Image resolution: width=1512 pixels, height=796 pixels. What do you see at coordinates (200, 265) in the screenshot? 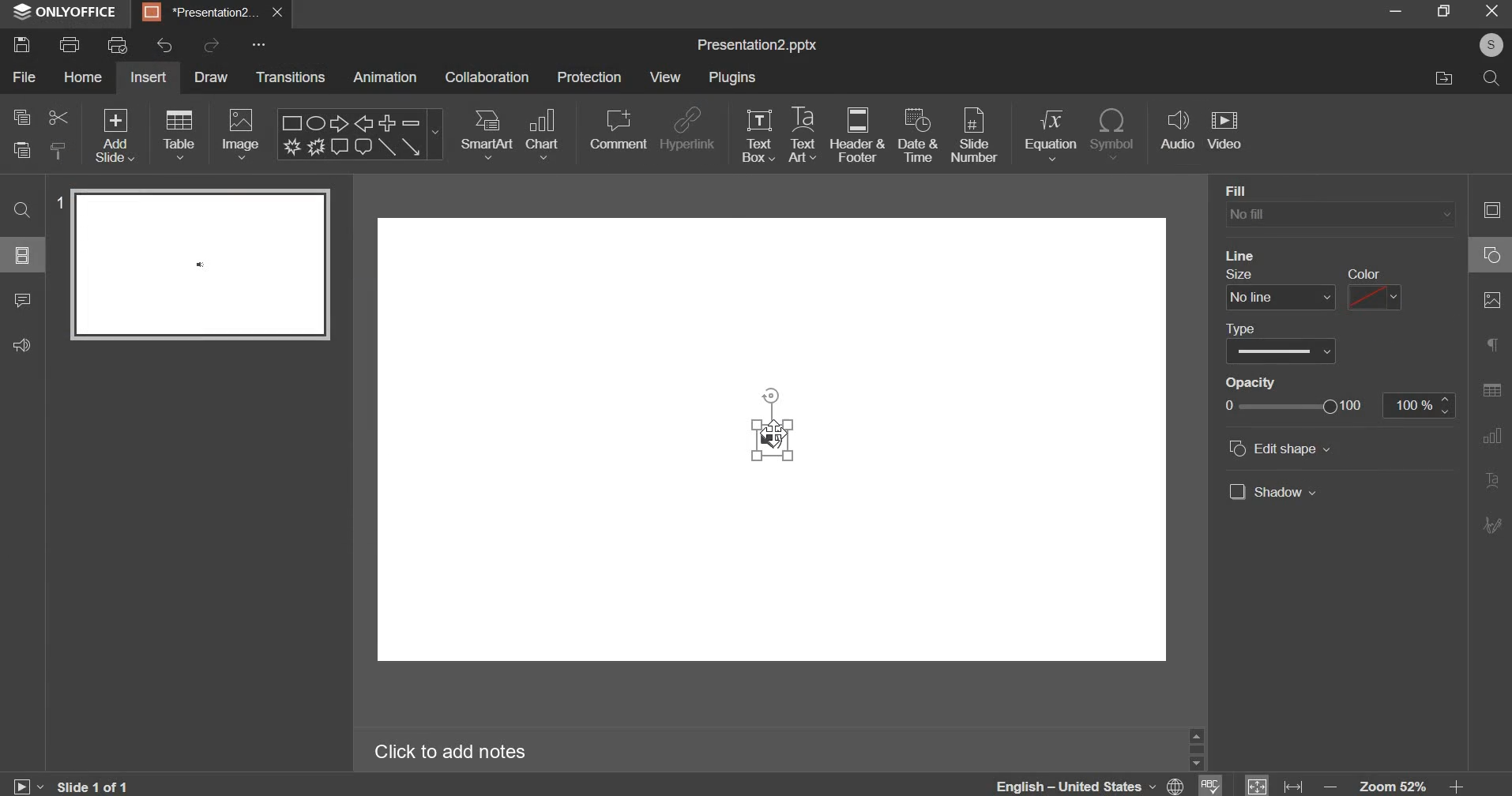
I see `slide 1 preview` at bounding box center [200, 265].